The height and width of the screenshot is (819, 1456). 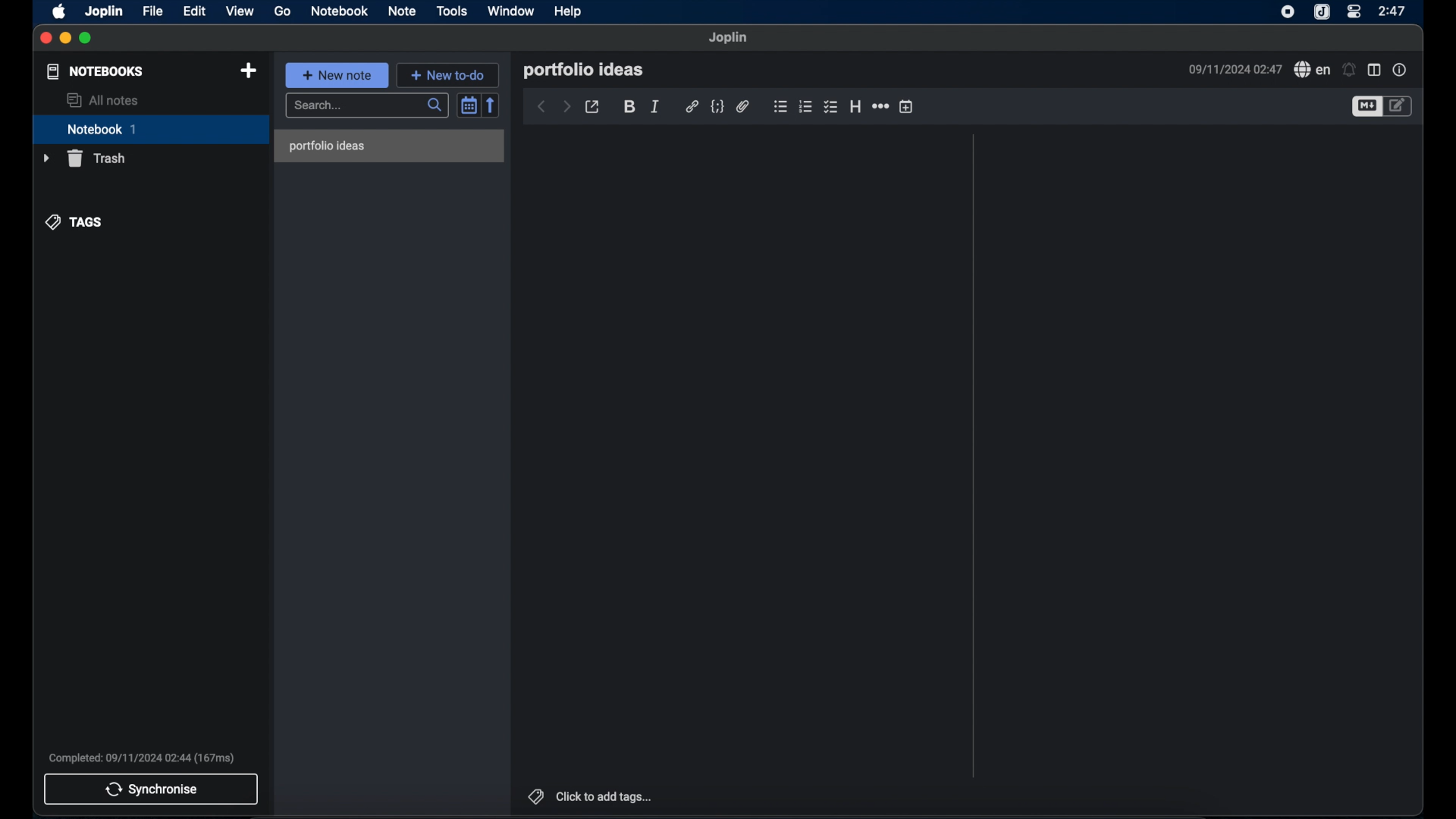 What do you see at coordinates (583, 71) in the screenshot?
I see `portfolio ideas` at bounding box center [583, 71].